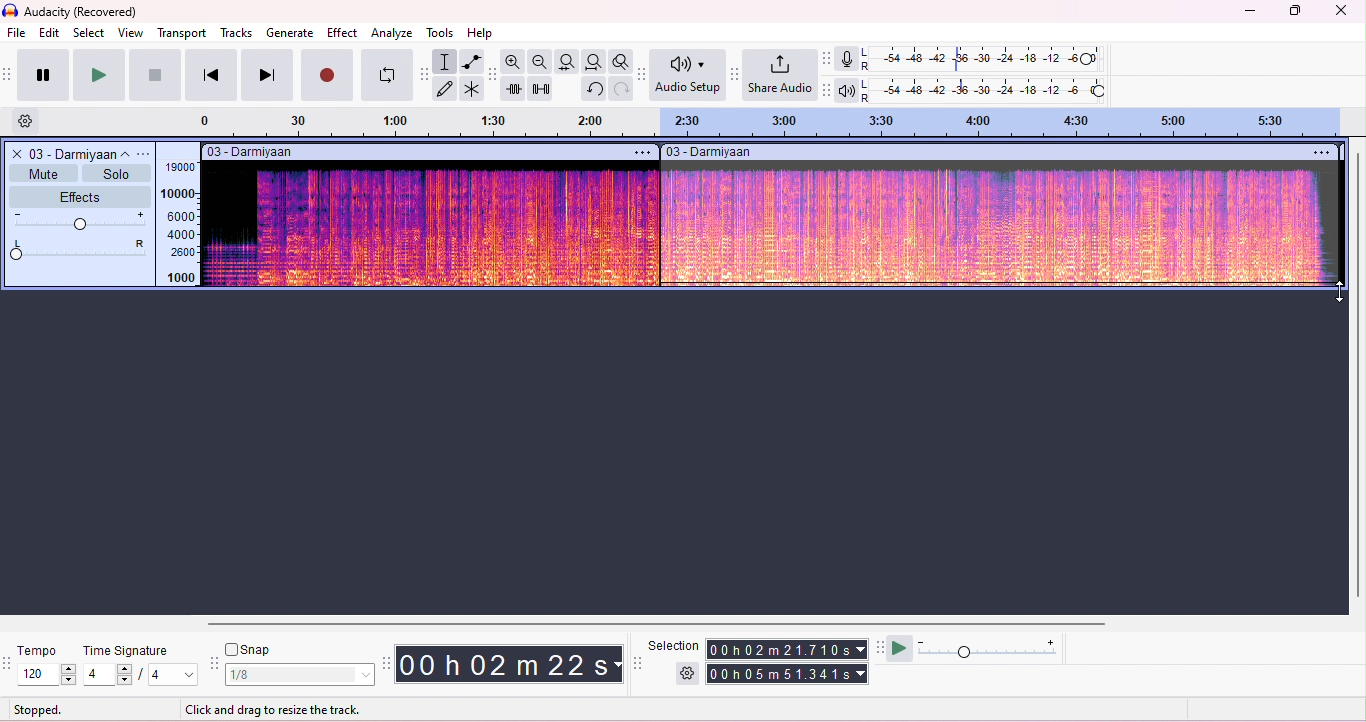  I want to click on track is split into two clips, so click(773, 217).